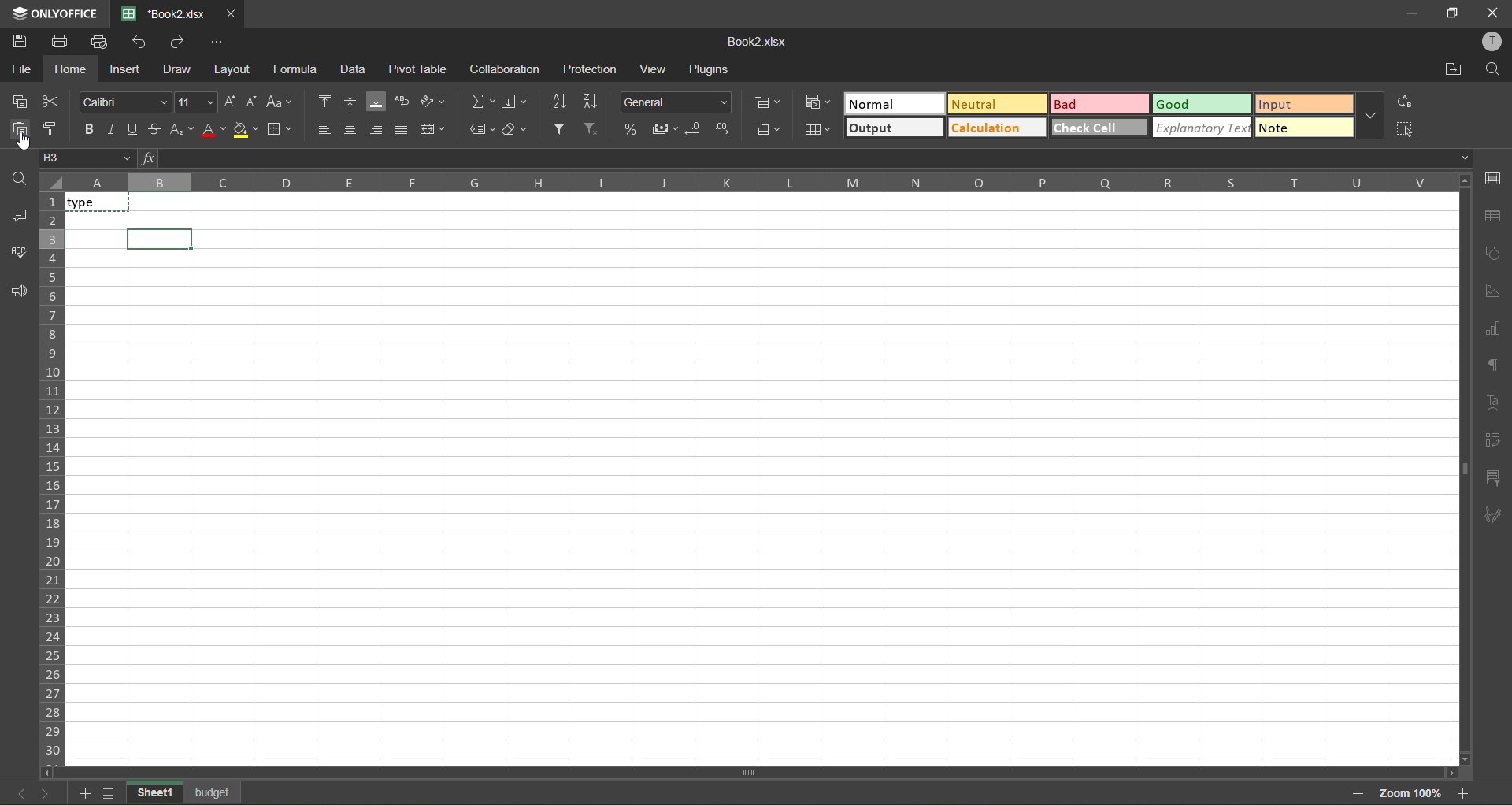 This screenshot has width=1512, height=805. Describe the element at coordinates (197, 102) in the screenshot. I see `font size` at that location.